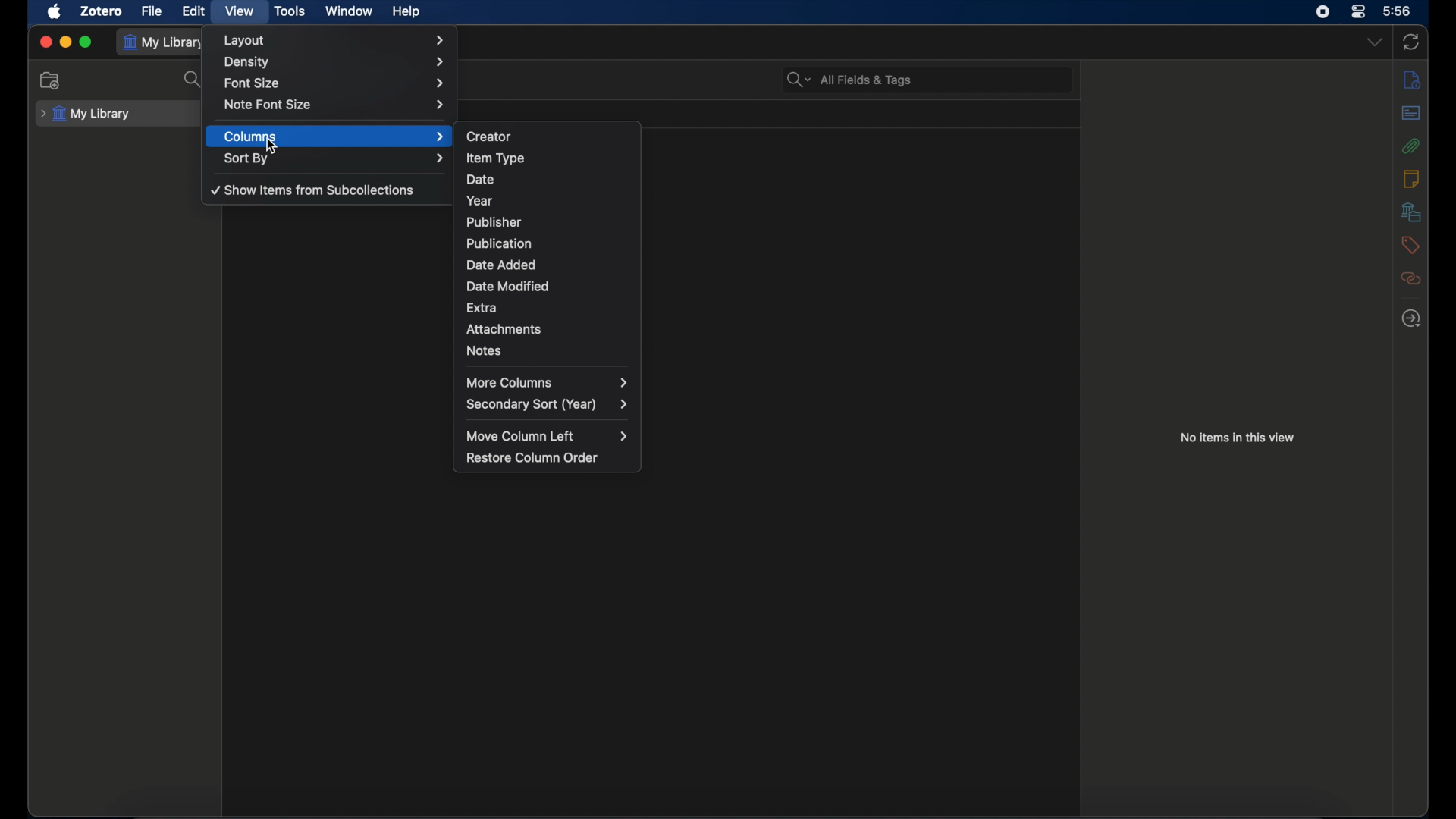  What do you see at coordinates (337, 40) in the screenshot?
I see `layout` at bounding box center [337, 40].